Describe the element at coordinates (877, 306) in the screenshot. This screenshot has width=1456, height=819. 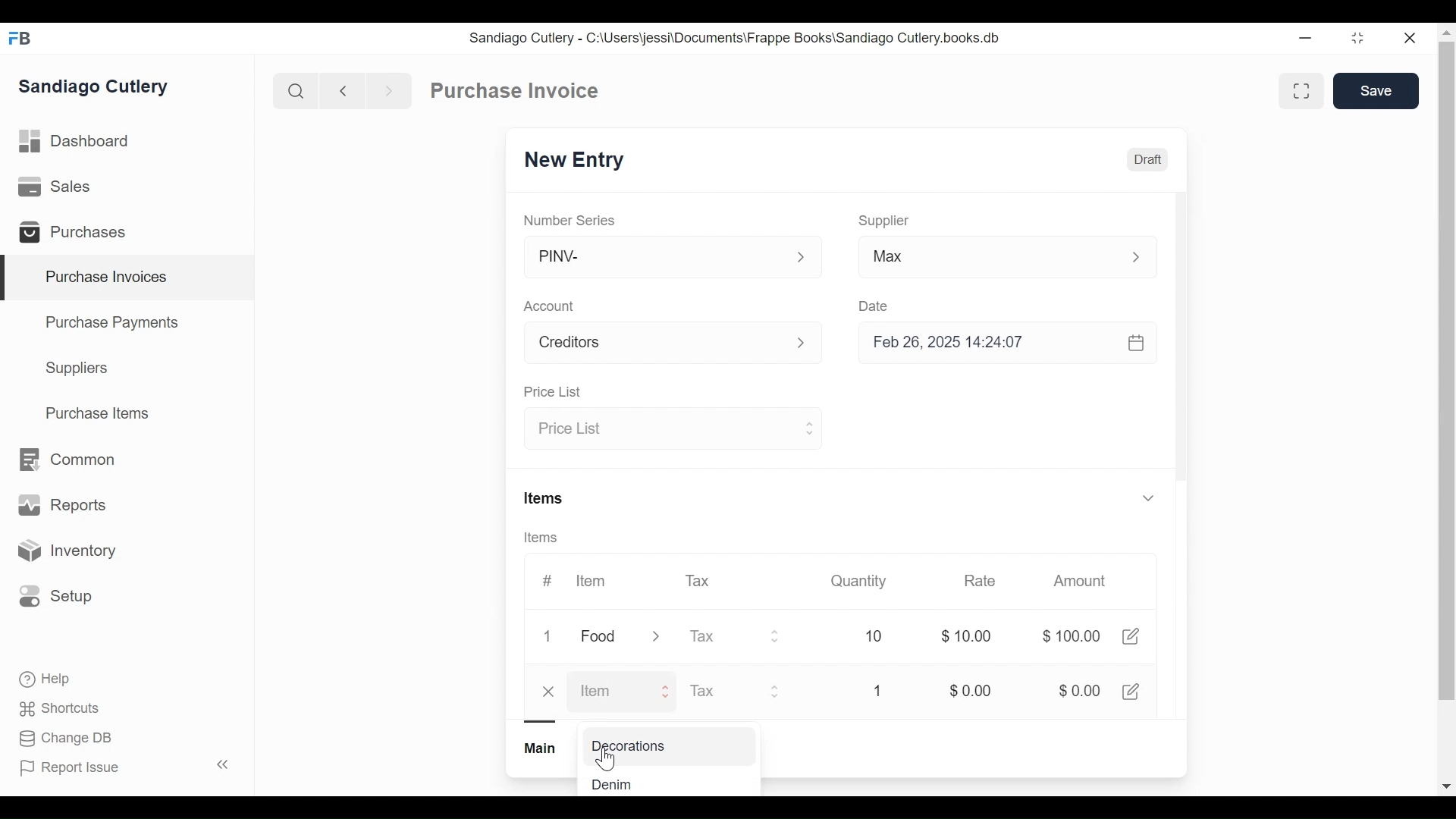
I see `Date` at that location.